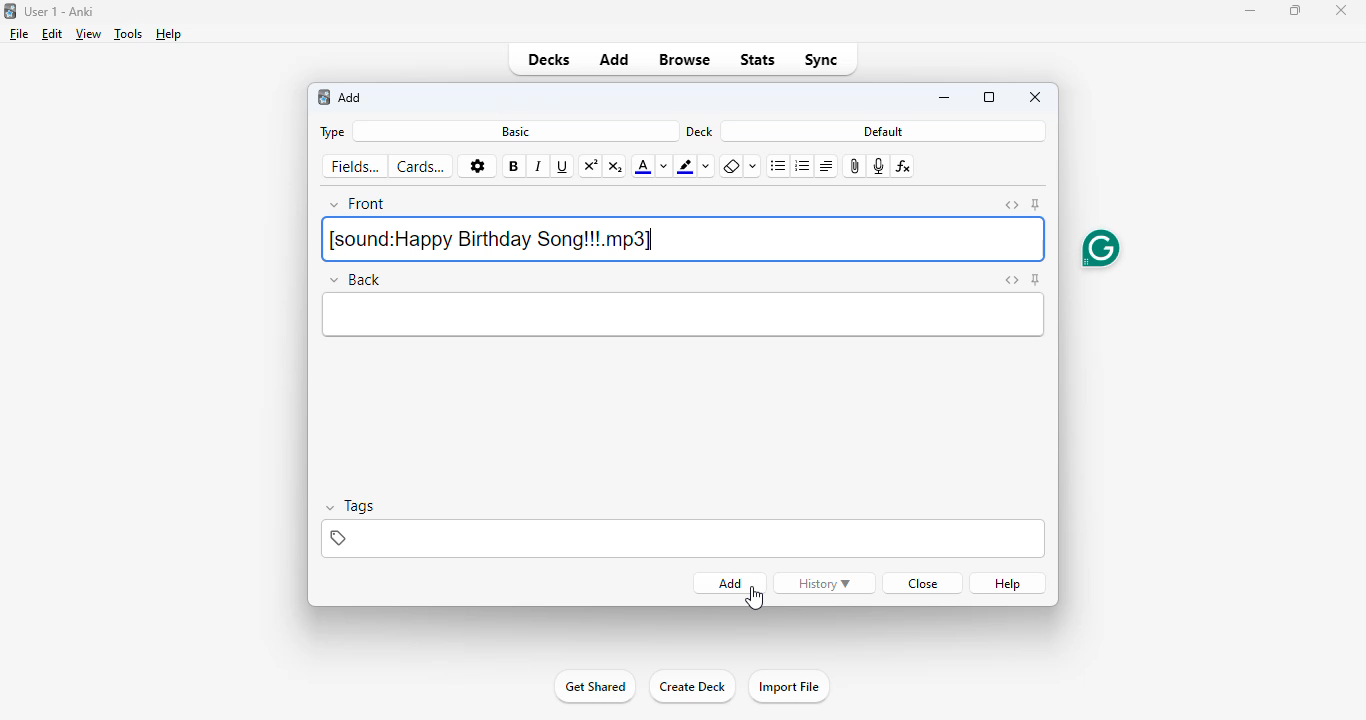  Describe the element at coordinates (681, 538) in the screenshot. I see `add tags` at that location.